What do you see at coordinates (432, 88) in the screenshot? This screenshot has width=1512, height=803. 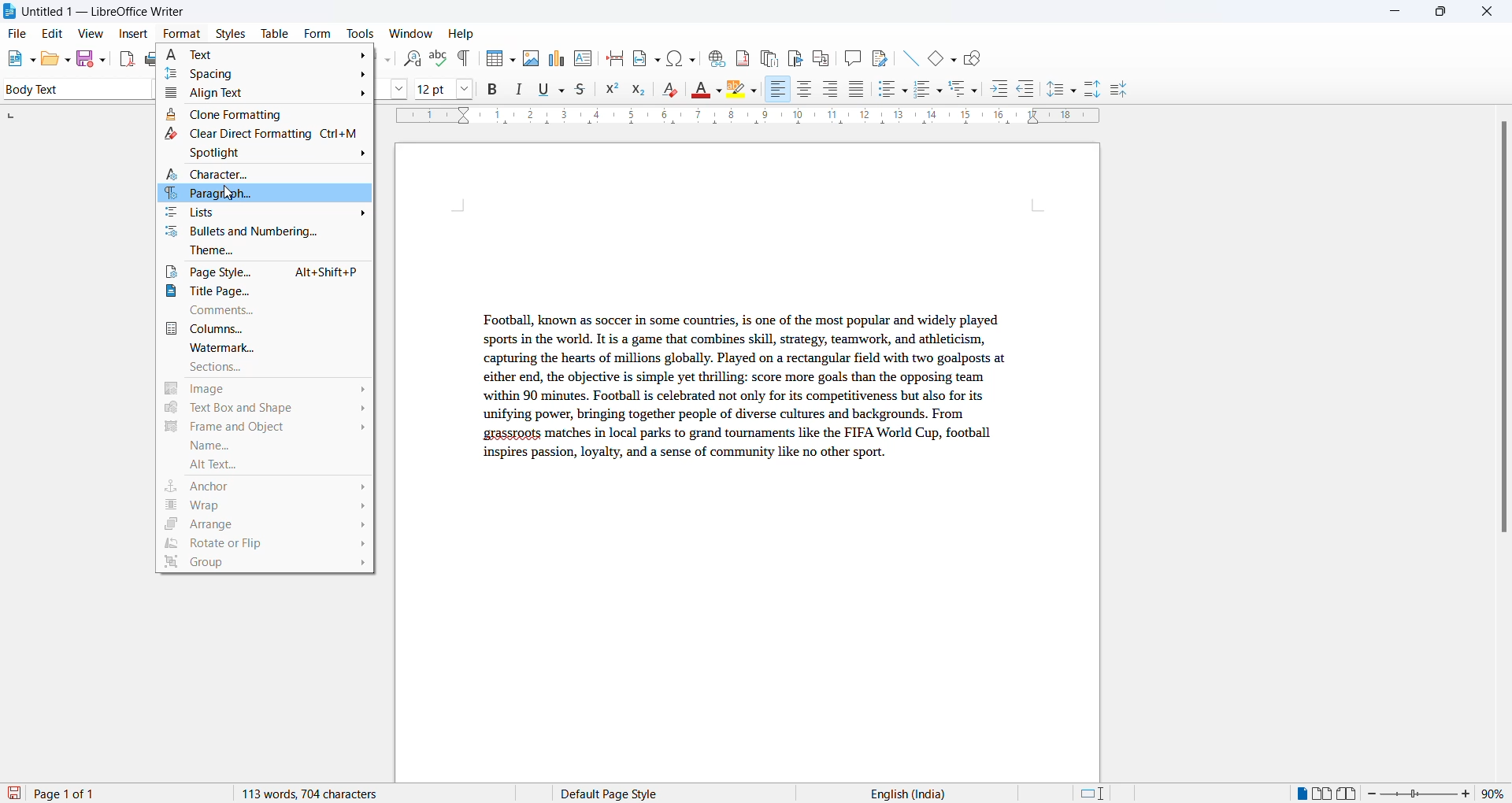 I see `font size` at bounding box center [432, 88].